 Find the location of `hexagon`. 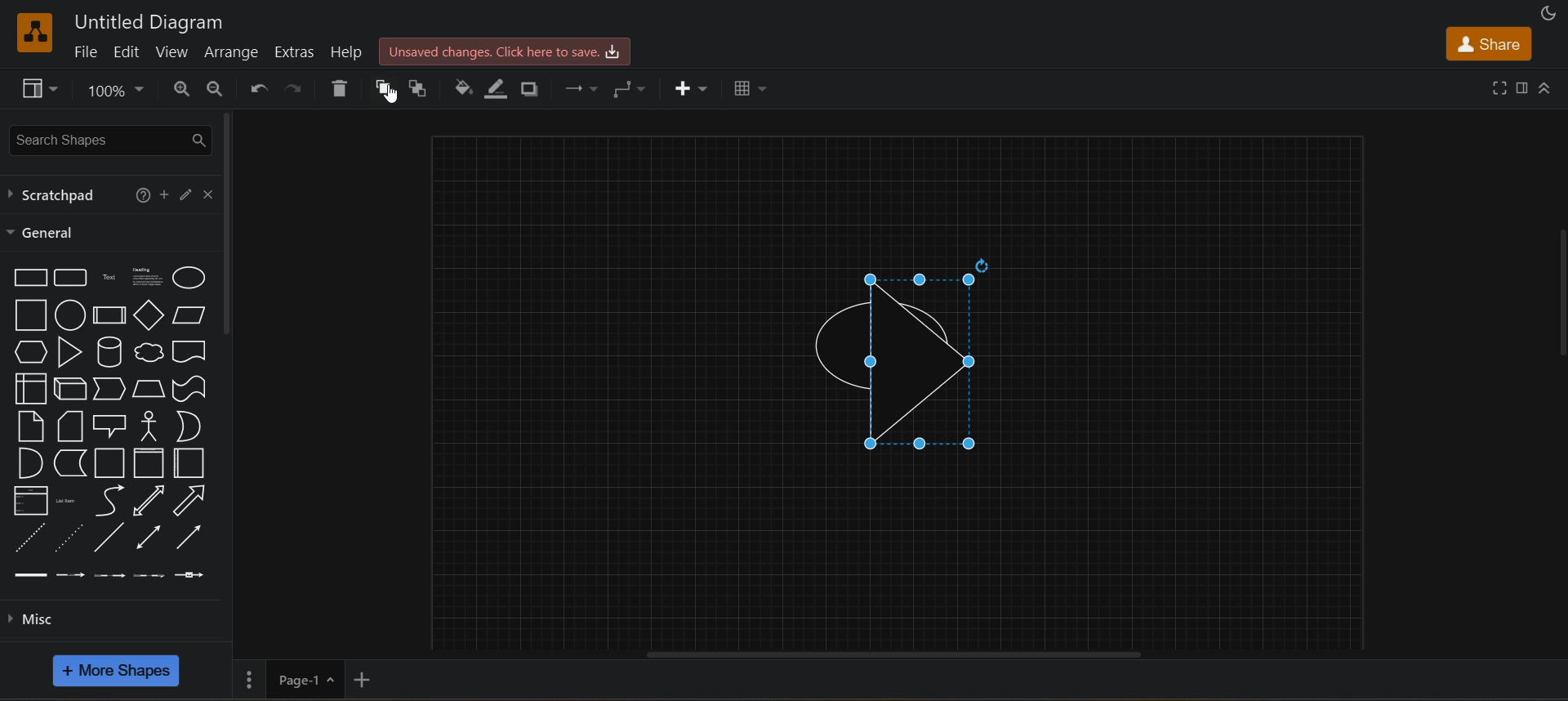

hexagon is located at coordinates (28, 352).